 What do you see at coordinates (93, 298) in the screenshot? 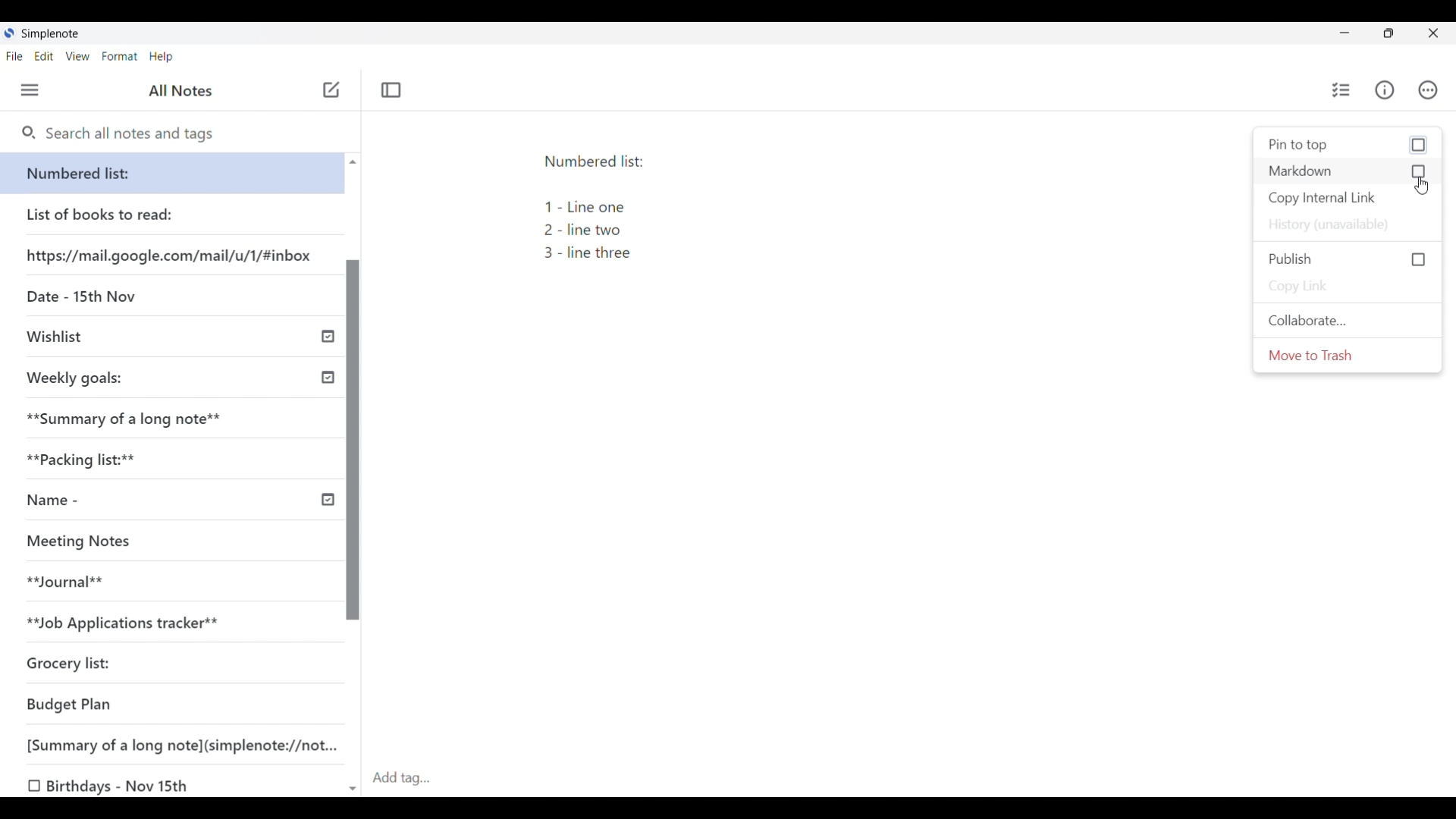
I see `Date - 15th Nov` at bounding box center [93, 298].